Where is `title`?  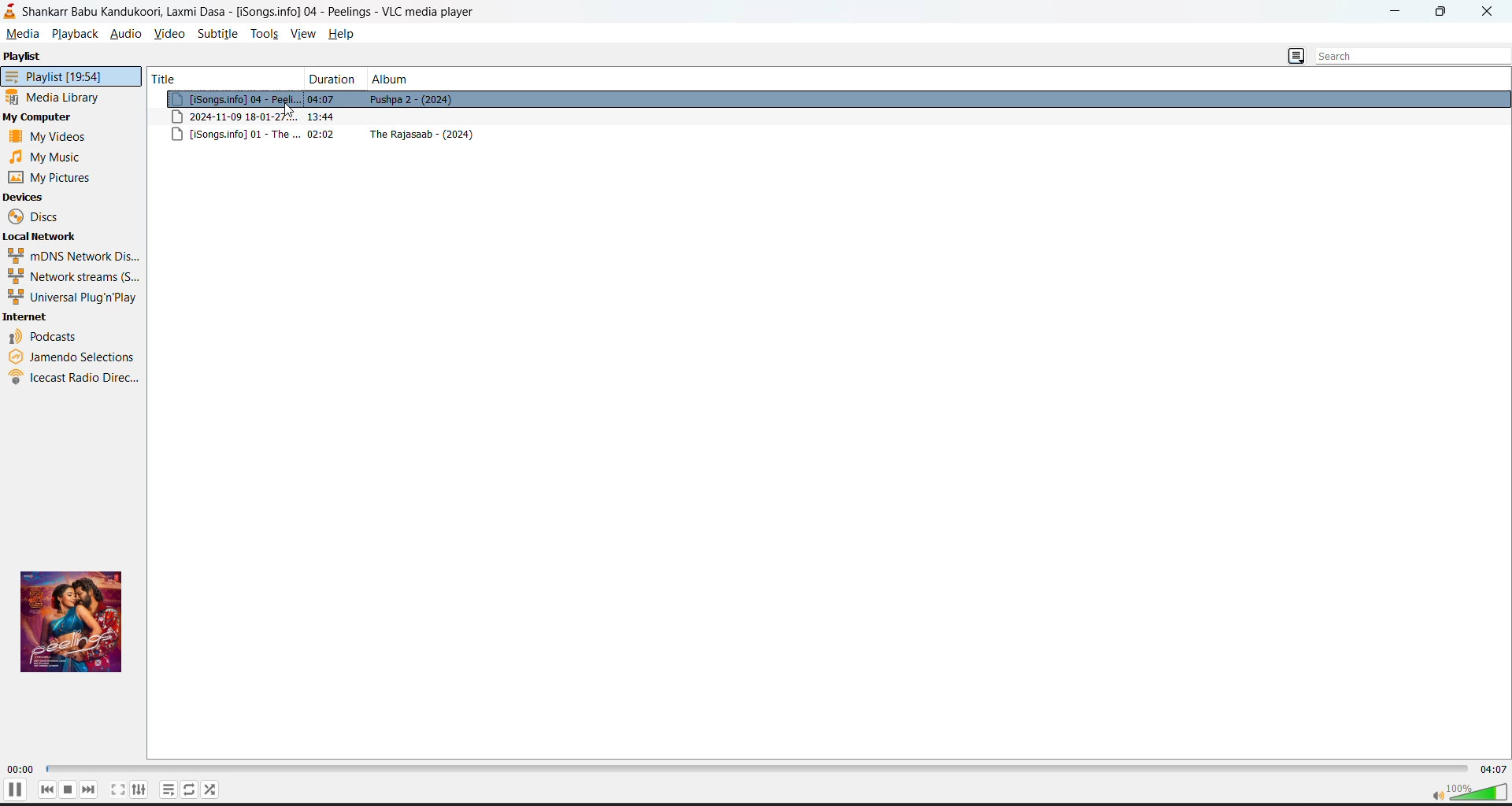 title is located at coordinates (222, 76).